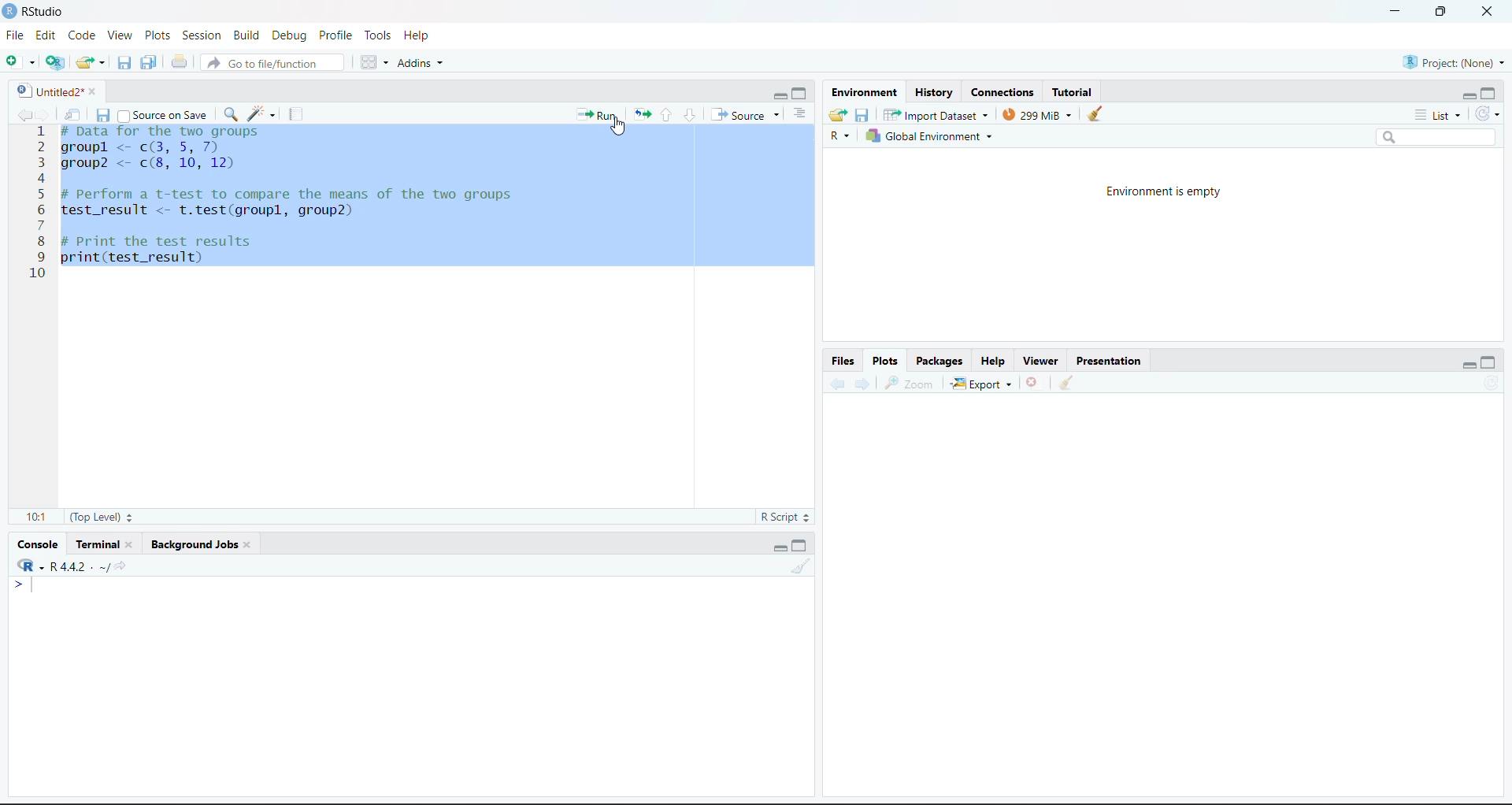  Describe the element at coordinates (162, 116) in the screenshot. I see `source on save` at that location.